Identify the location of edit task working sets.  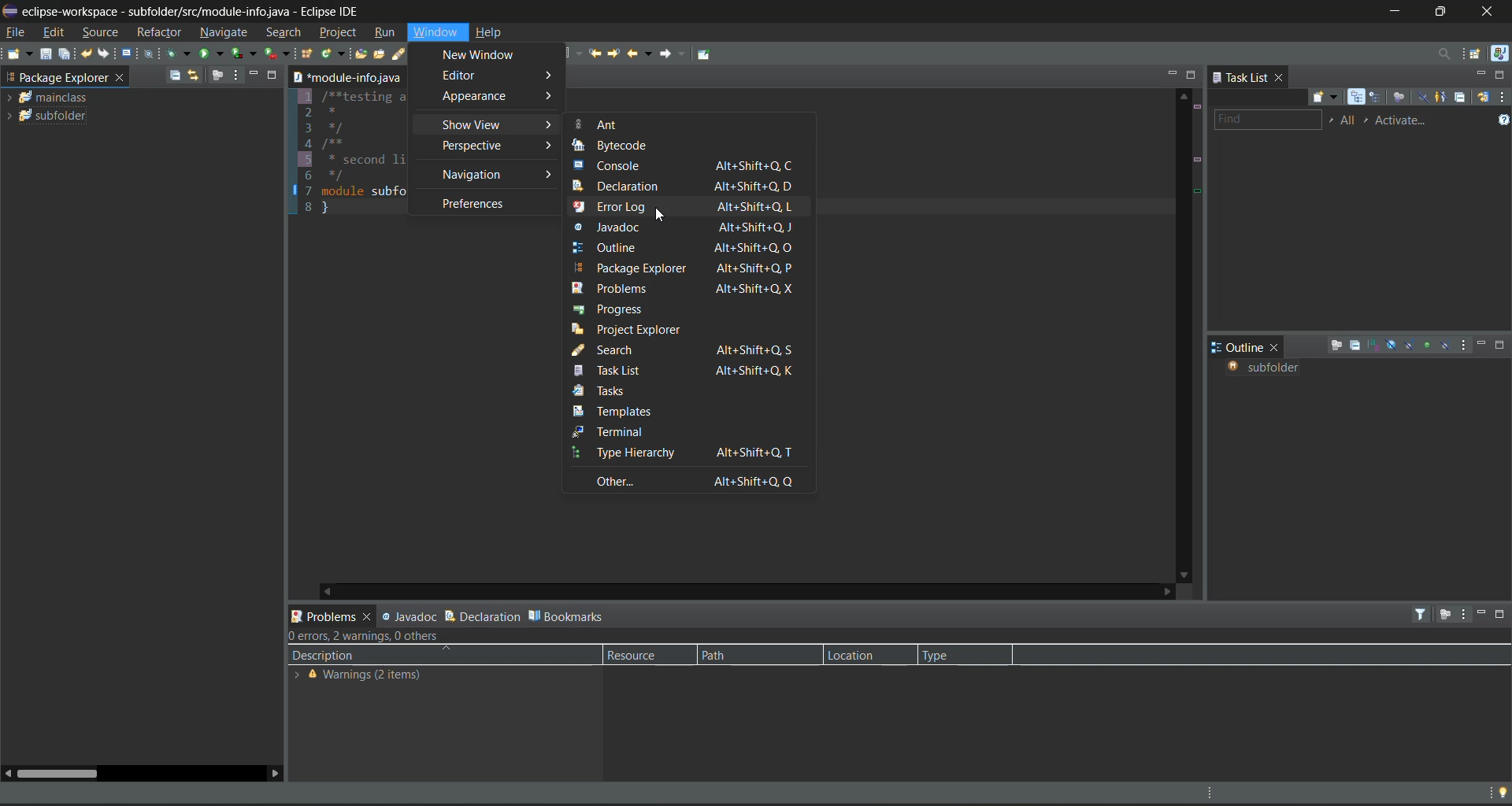
(1349, 121).